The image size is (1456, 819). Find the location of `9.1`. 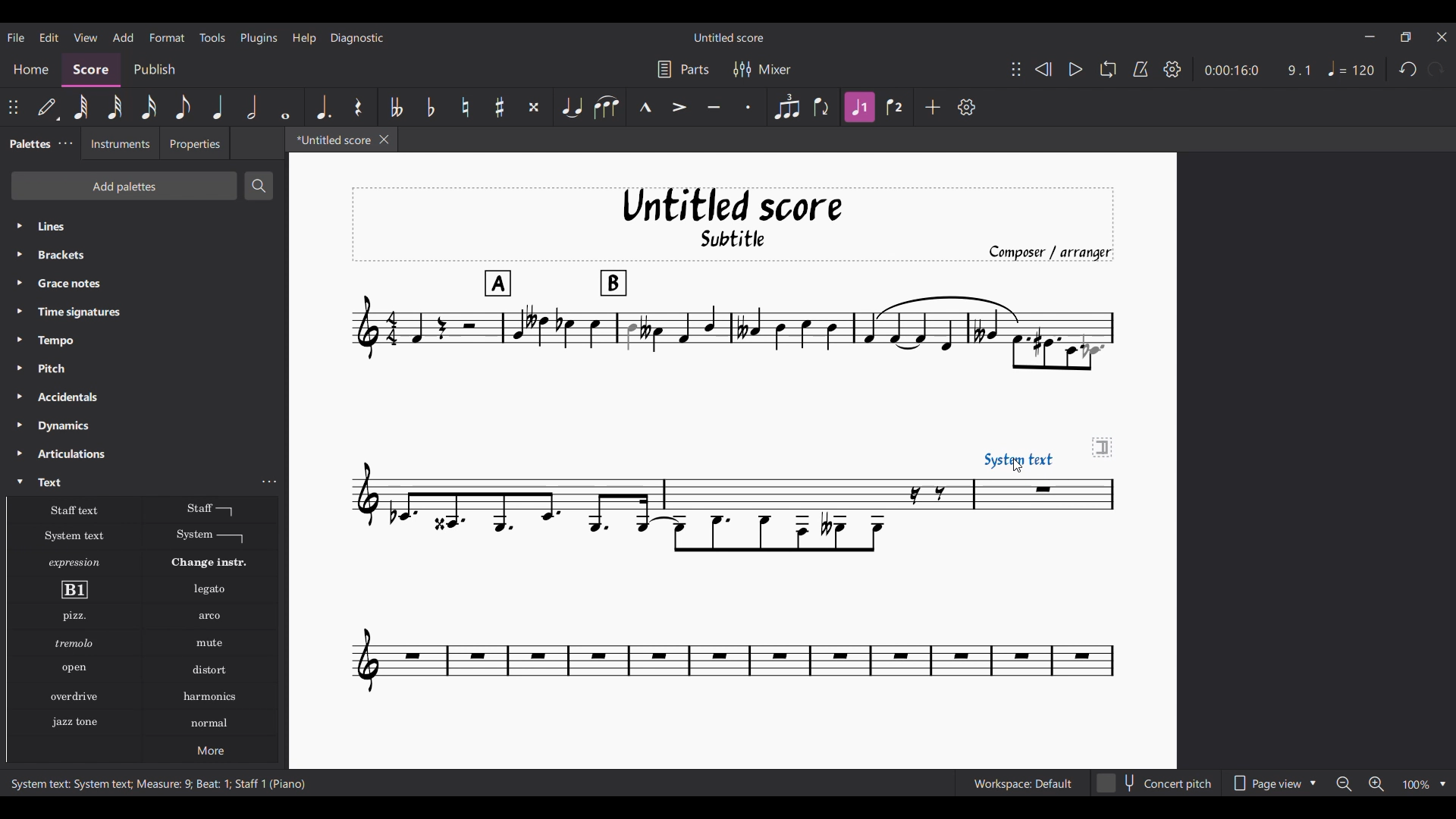

9.1 is located at coordinates (1298, 70).